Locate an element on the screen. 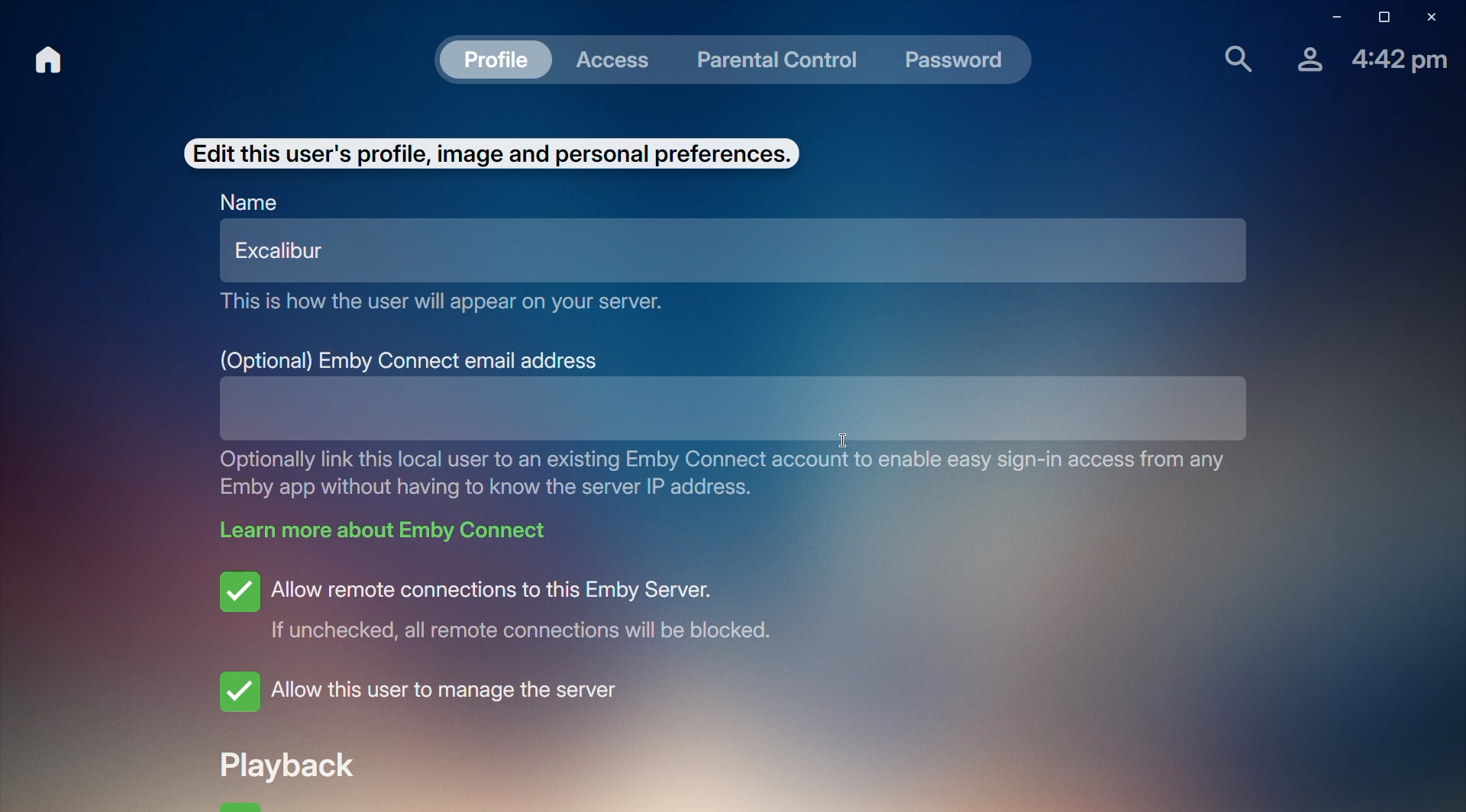 Image resolution: width=1466 pixels, height=812 pixels. Excalibur is located at coordinates (282, 252).